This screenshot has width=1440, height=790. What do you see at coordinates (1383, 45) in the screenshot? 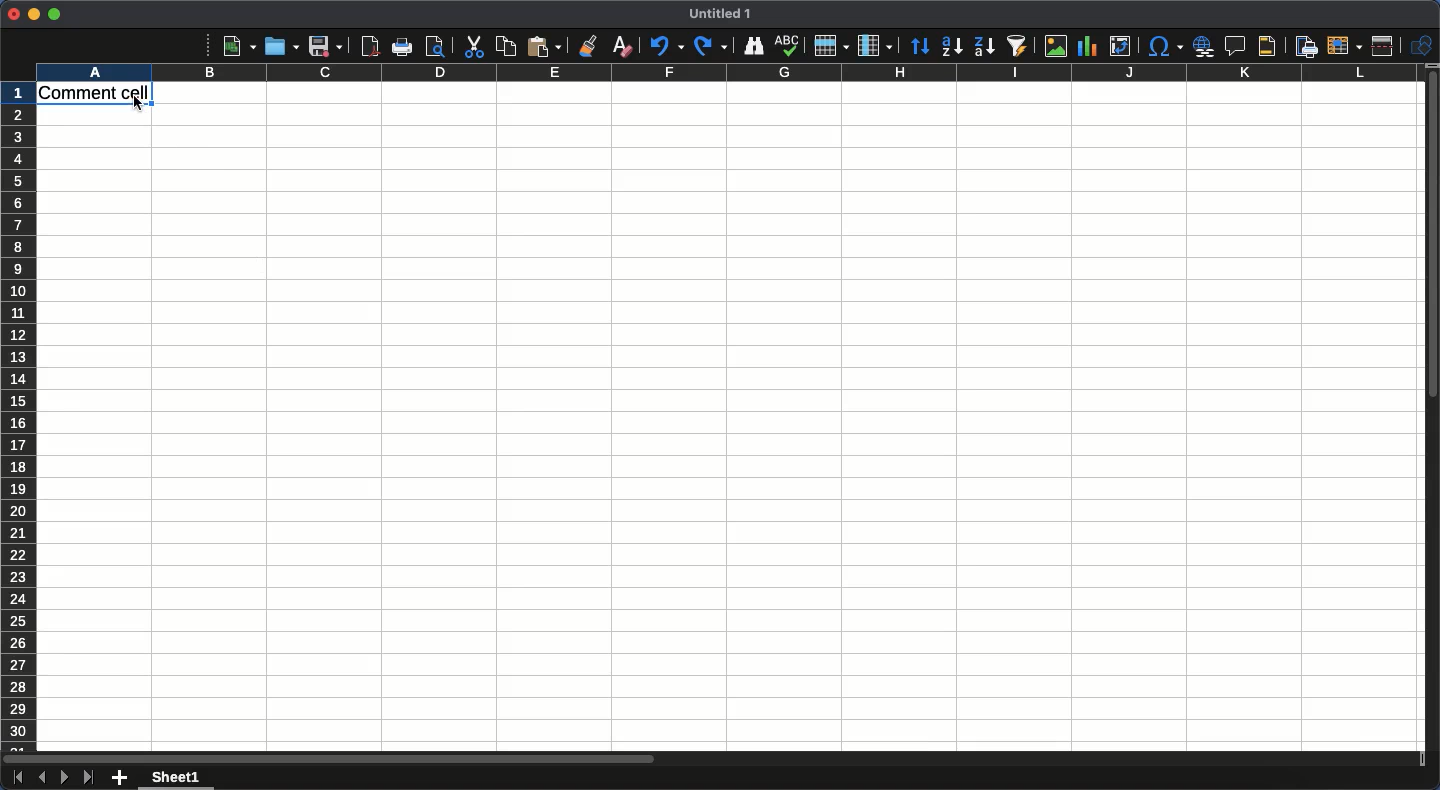
I see `Split window` at bounding box center [1383, 45].